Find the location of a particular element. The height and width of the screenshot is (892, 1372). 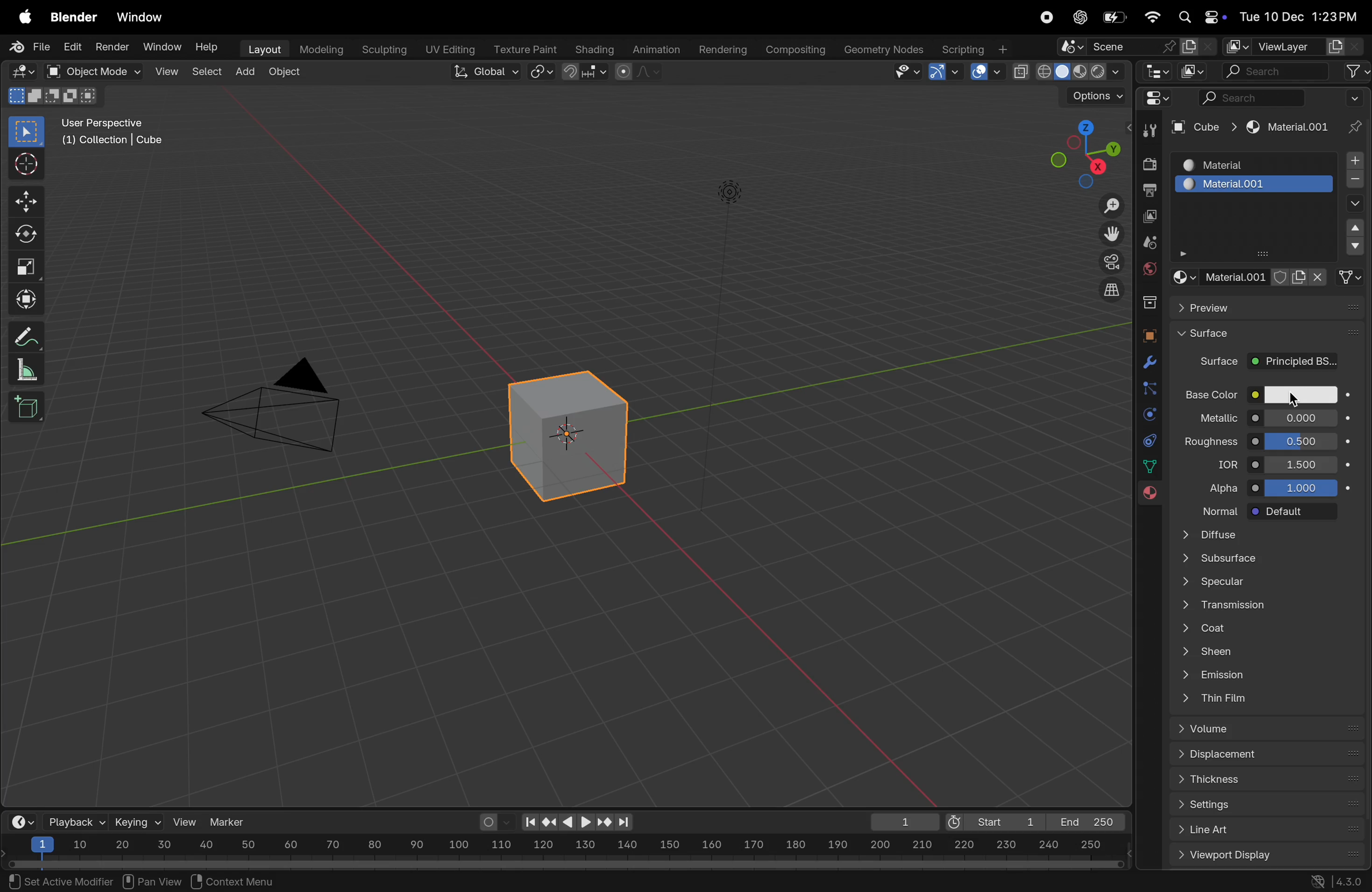

light is located at coordinates (730, 190).